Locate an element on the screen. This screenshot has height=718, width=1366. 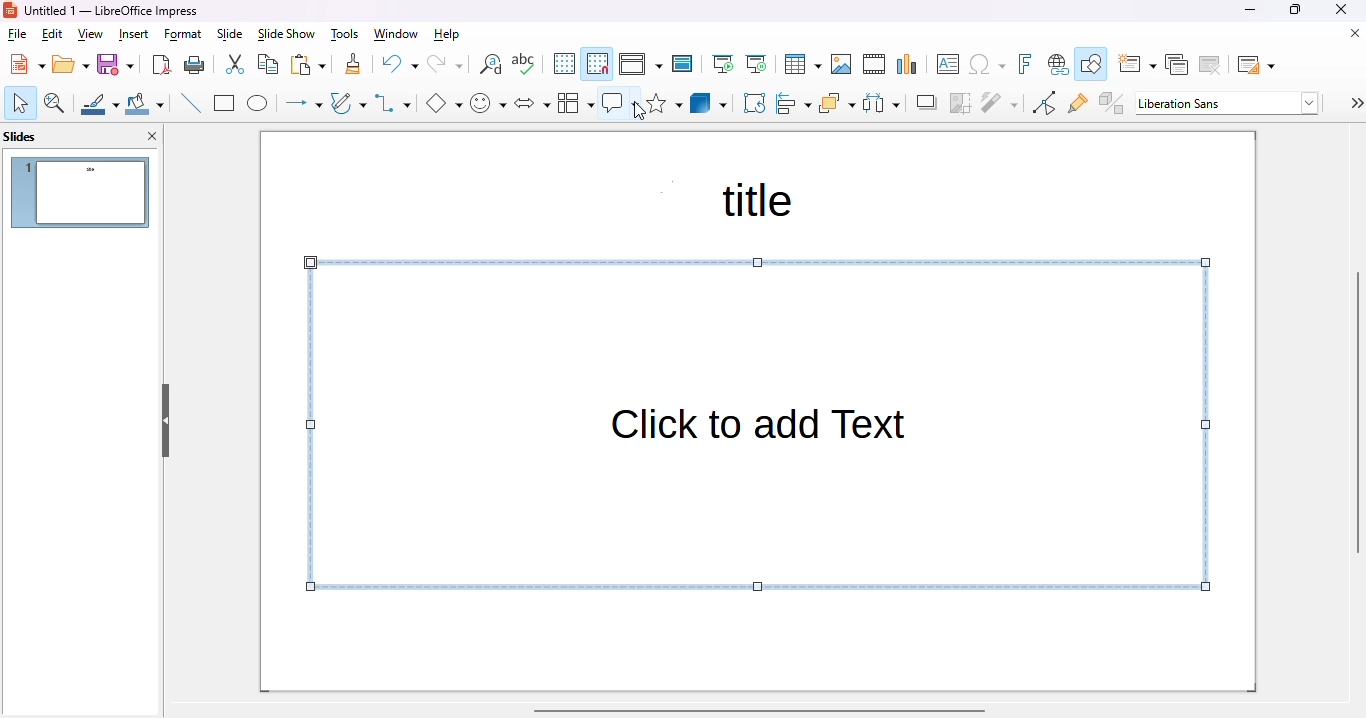
crop image is located at coordinates (960, 104).